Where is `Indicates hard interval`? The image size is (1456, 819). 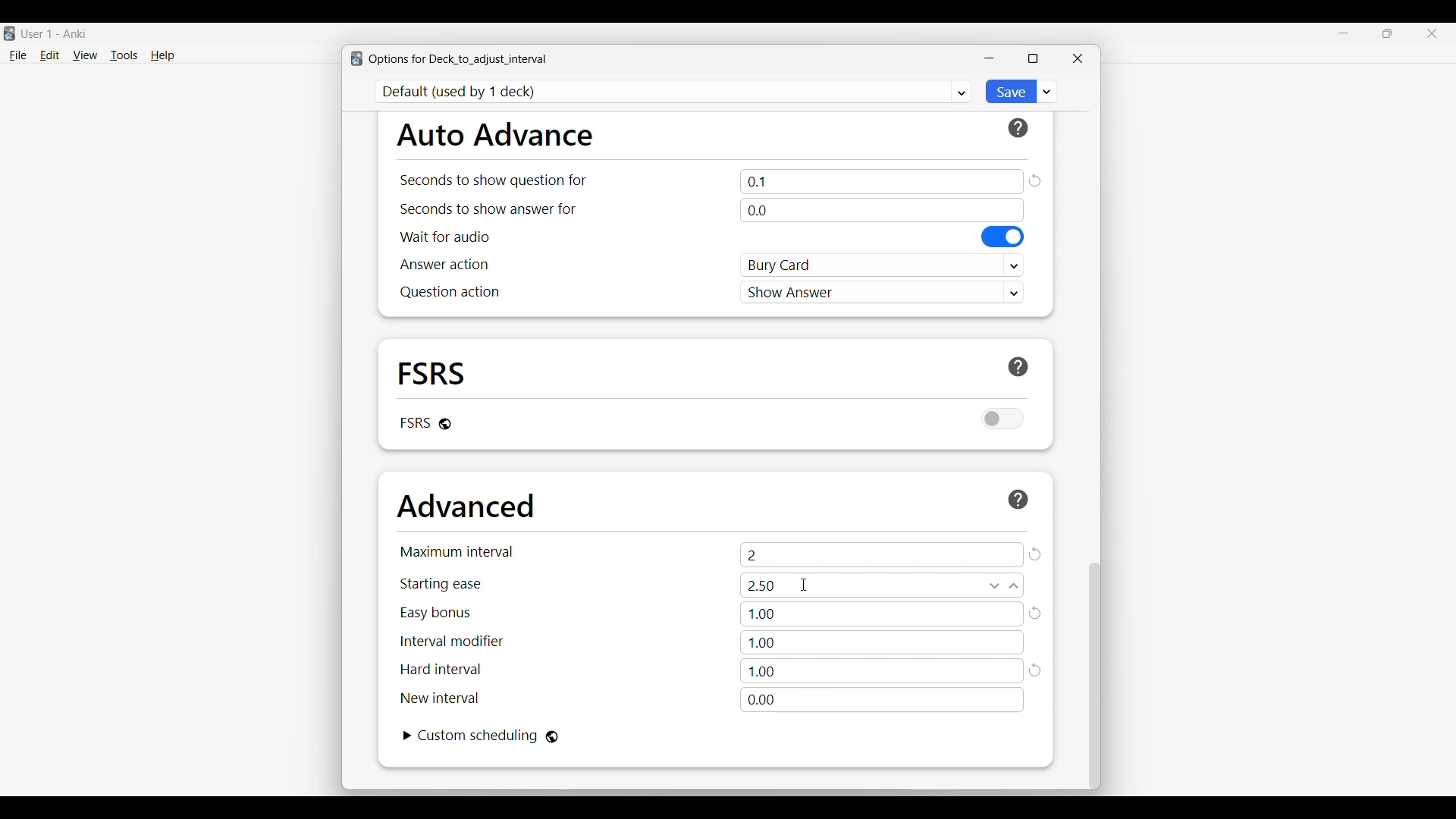
Indicates hard interval is located at coordinates (441, 670).